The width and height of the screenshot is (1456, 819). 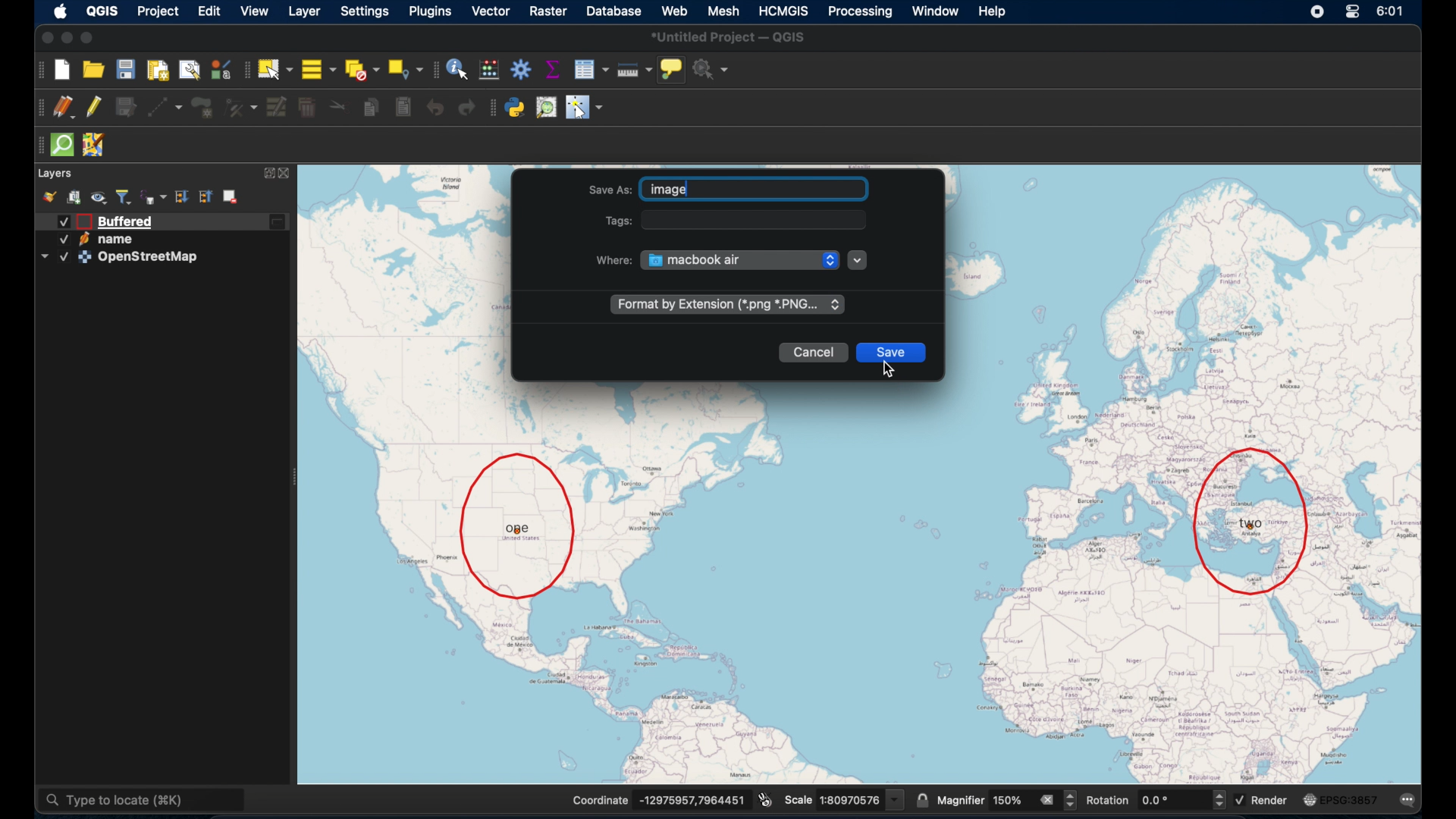 What do you see at coordinates (1353, 11) in the screenshot?
I see `control center` at bounding box center [1353, 11].